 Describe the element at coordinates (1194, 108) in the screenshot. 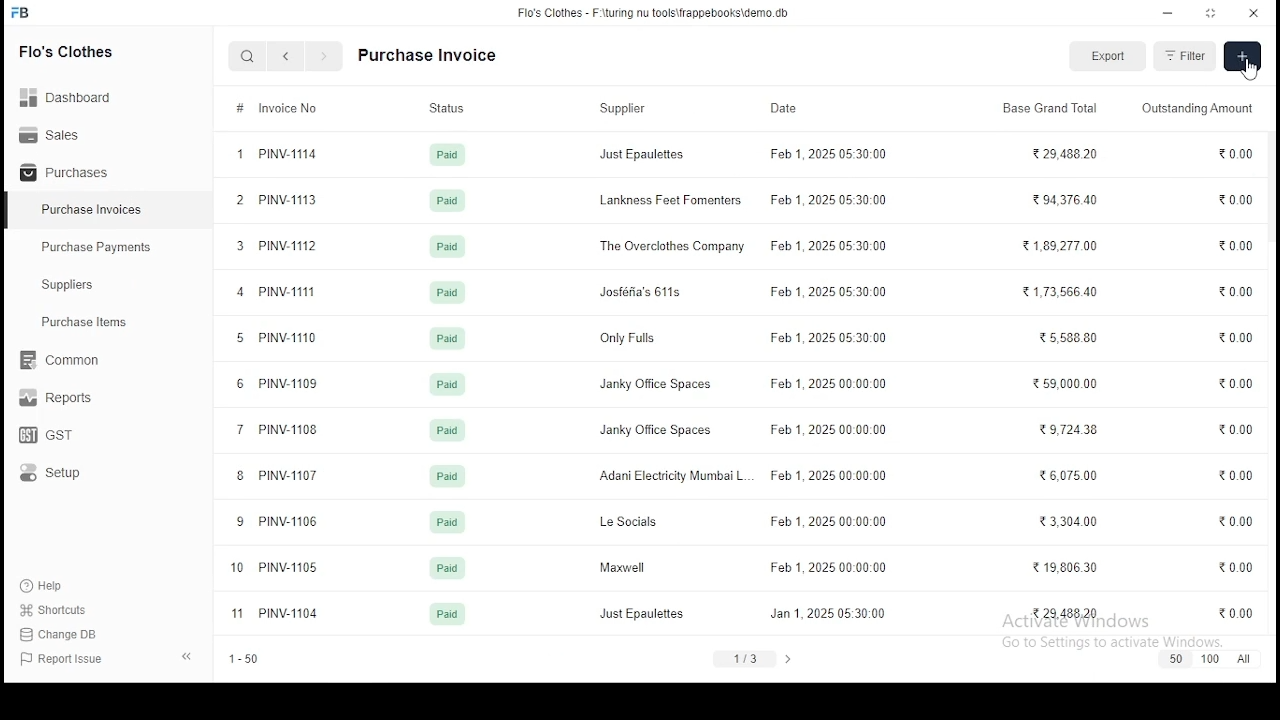

I see `outstanding amount` at that location.